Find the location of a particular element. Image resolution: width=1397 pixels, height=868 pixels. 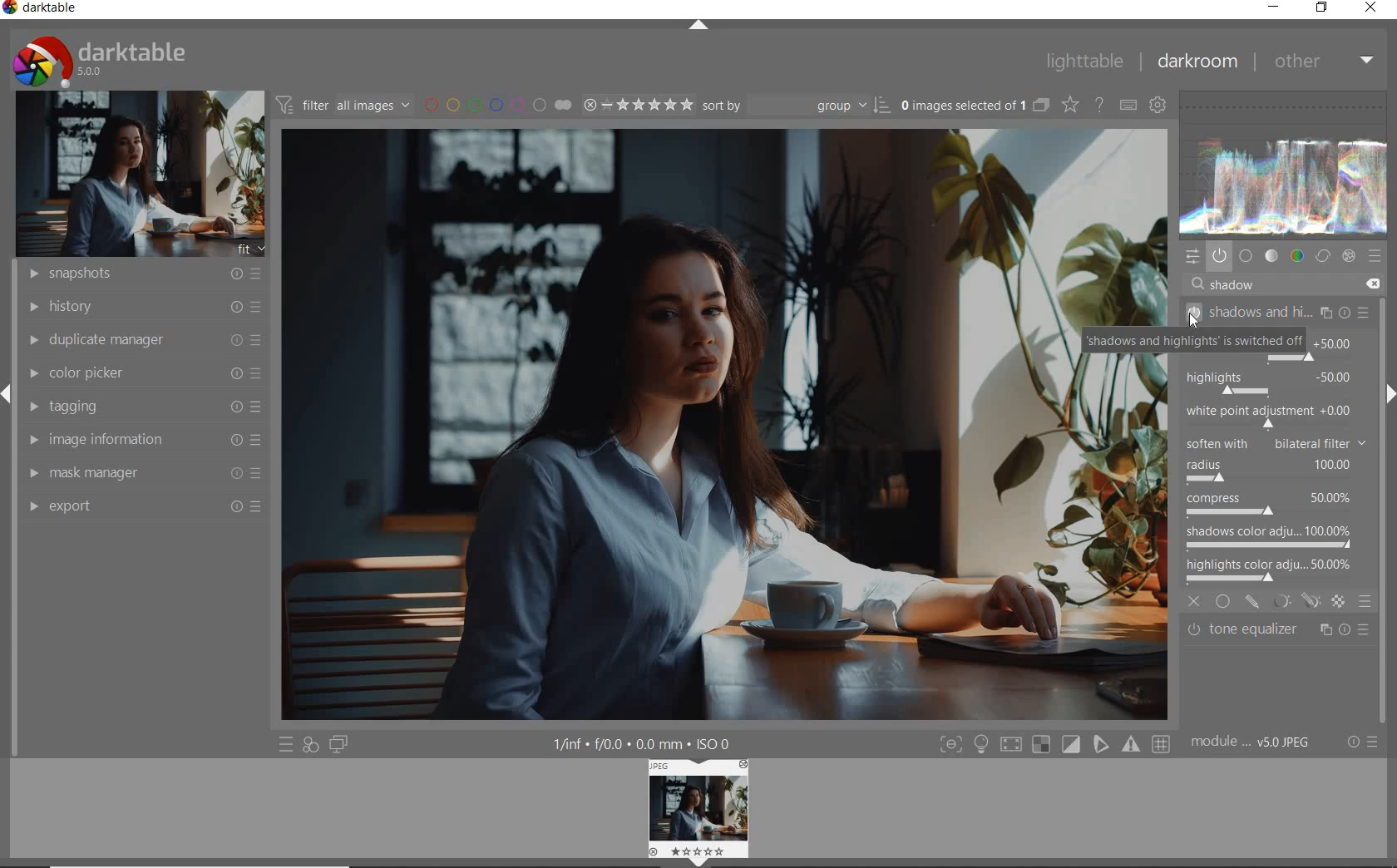

show global preferences is located at coordinates (1158, 106).